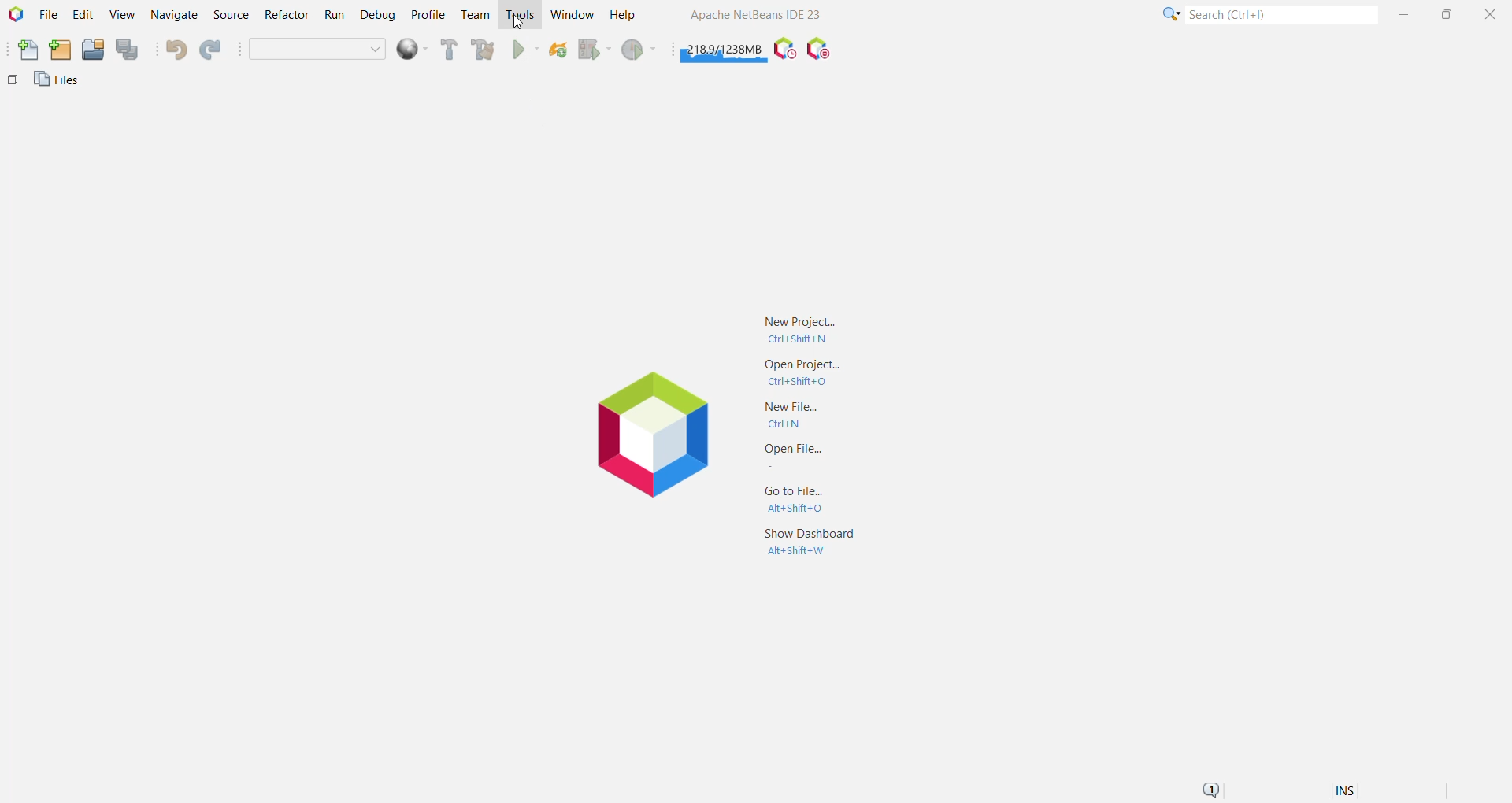 The image size is (1512, 803). Describe the element at coordinates (802, 371) in the screenshot. I see `Open Project` at that location.